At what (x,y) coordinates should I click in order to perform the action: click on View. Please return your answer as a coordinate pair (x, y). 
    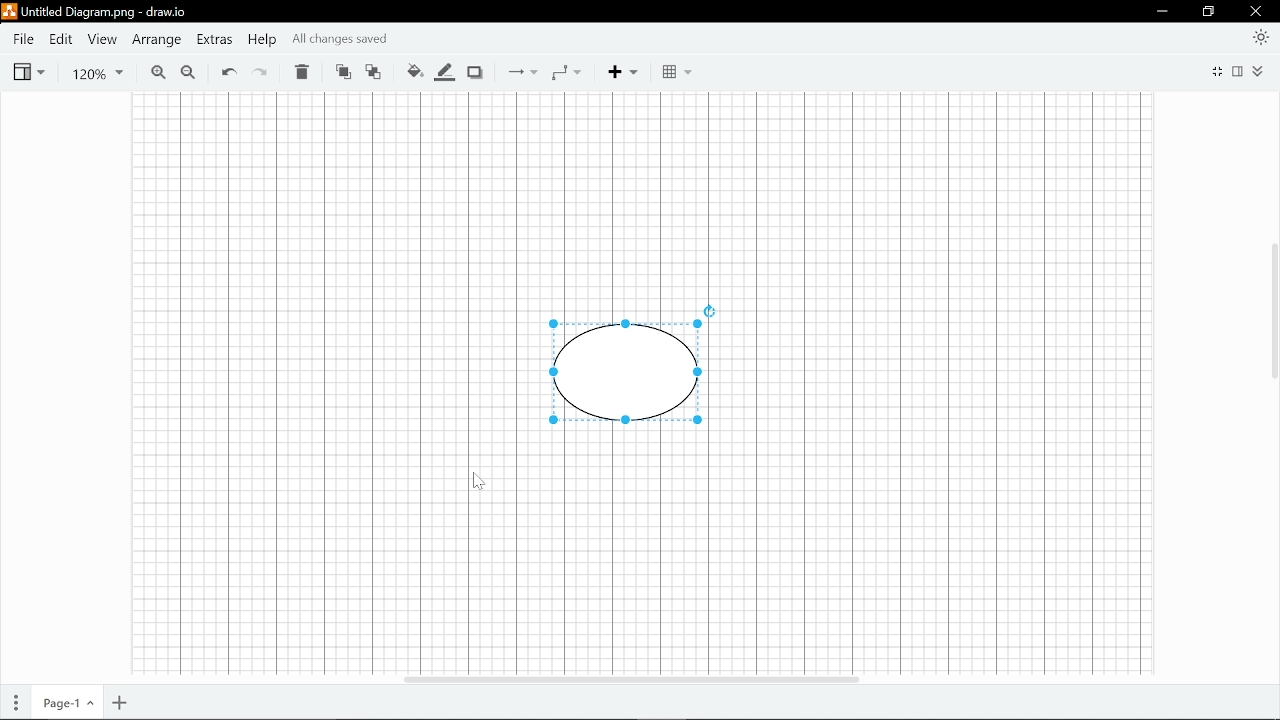
    Looking at the image, I should click on (102, 40).